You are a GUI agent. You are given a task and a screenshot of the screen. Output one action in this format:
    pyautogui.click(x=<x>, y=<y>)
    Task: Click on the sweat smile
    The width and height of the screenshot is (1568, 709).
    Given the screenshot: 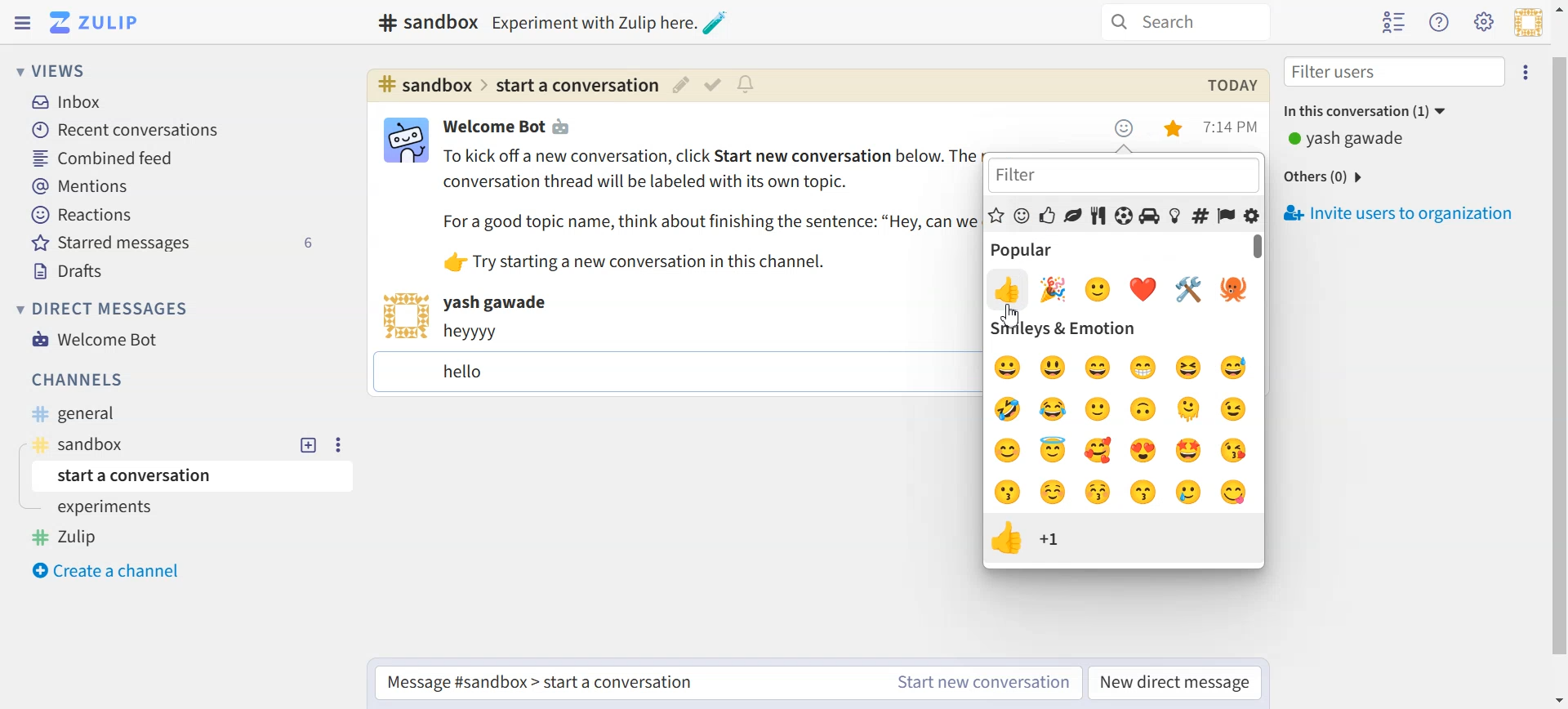 What is the action you would take?
    pyautogui.click(x=1240, y=370)
    